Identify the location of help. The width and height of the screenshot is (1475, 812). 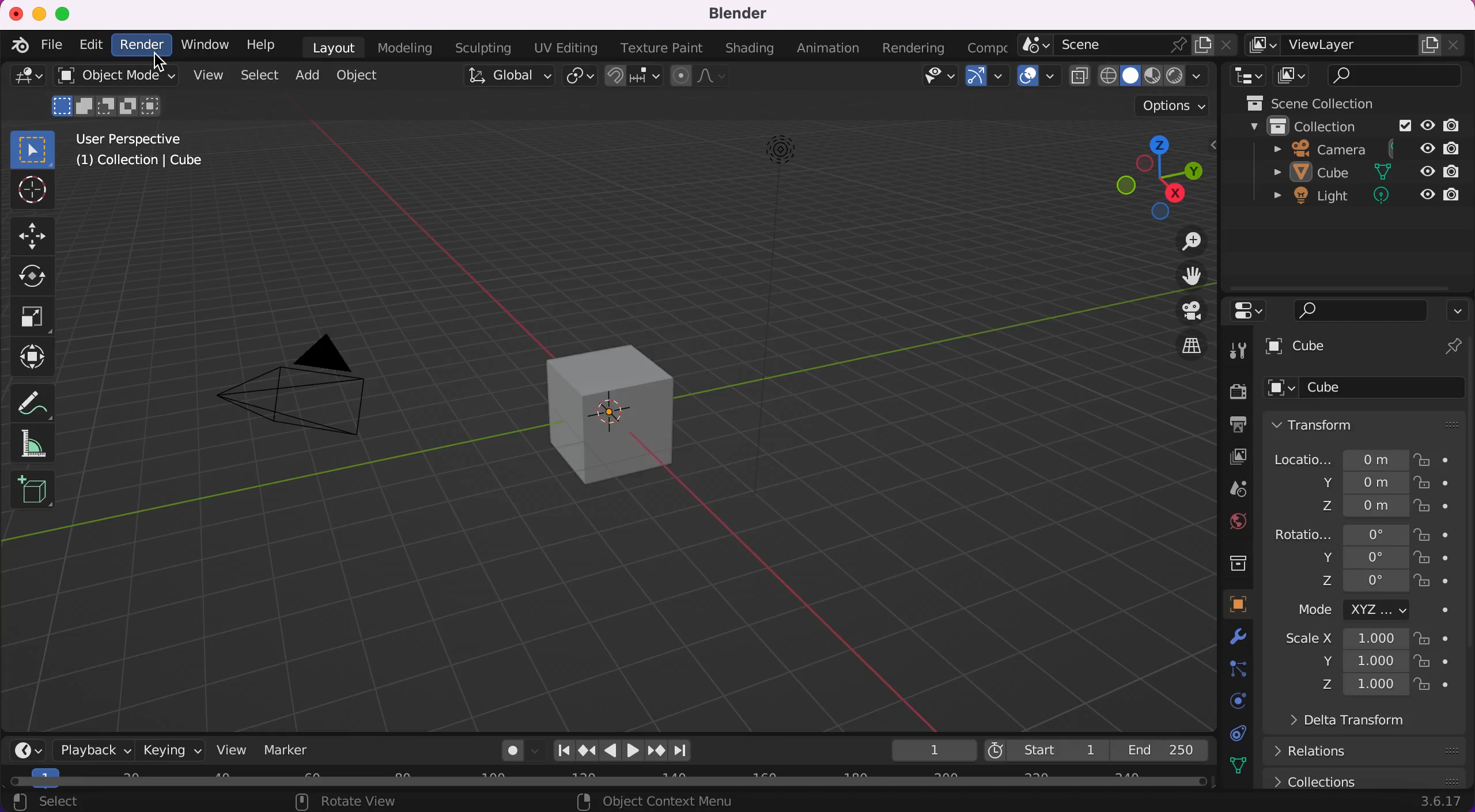
(256, 47).